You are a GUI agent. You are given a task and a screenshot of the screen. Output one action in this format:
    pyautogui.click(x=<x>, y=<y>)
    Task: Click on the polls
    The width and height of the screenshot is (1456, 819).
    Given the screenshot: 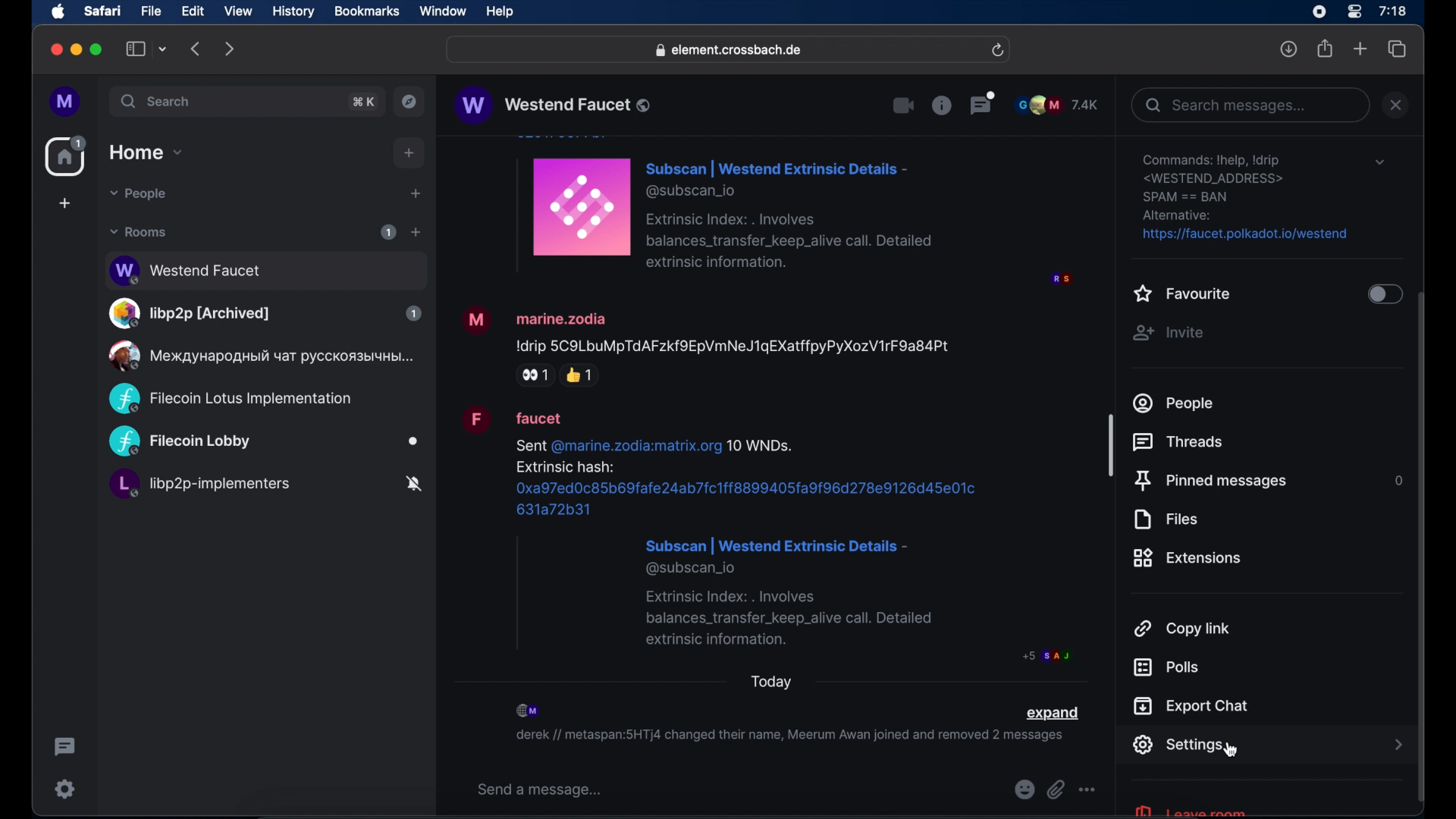 What is the action you would take?
    pyautogui.click(x=1166, y=667)
    